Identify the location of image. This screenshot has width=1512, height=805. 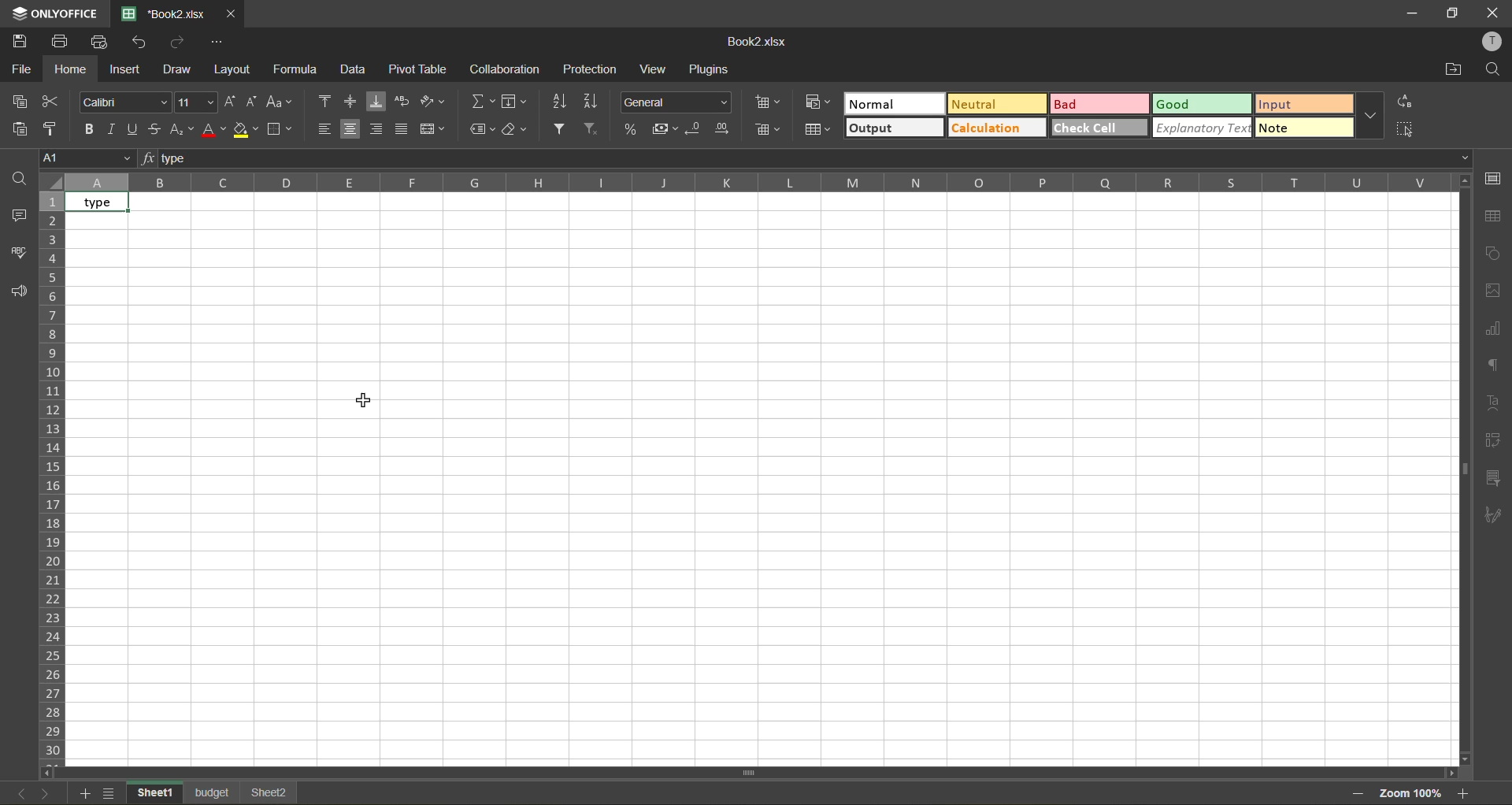
(1493, 291).